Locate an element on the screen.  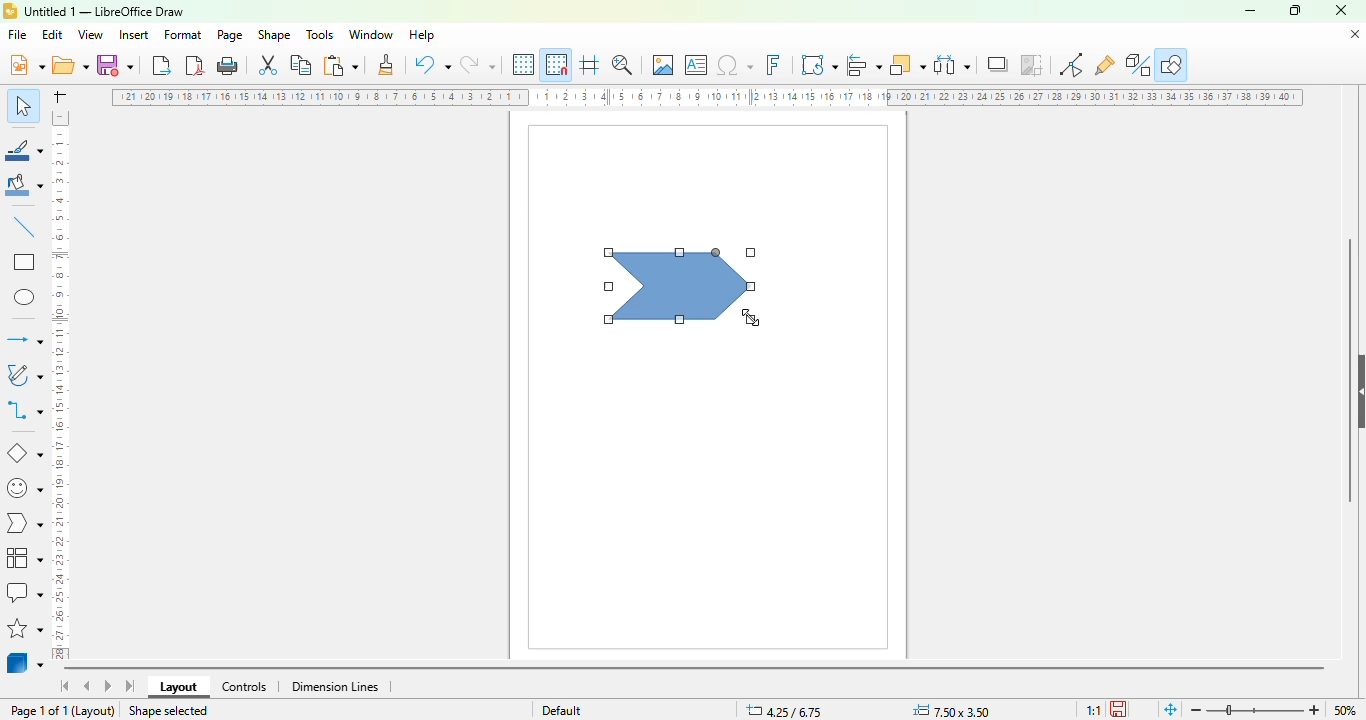
redo is located at coordinates (477, 64).